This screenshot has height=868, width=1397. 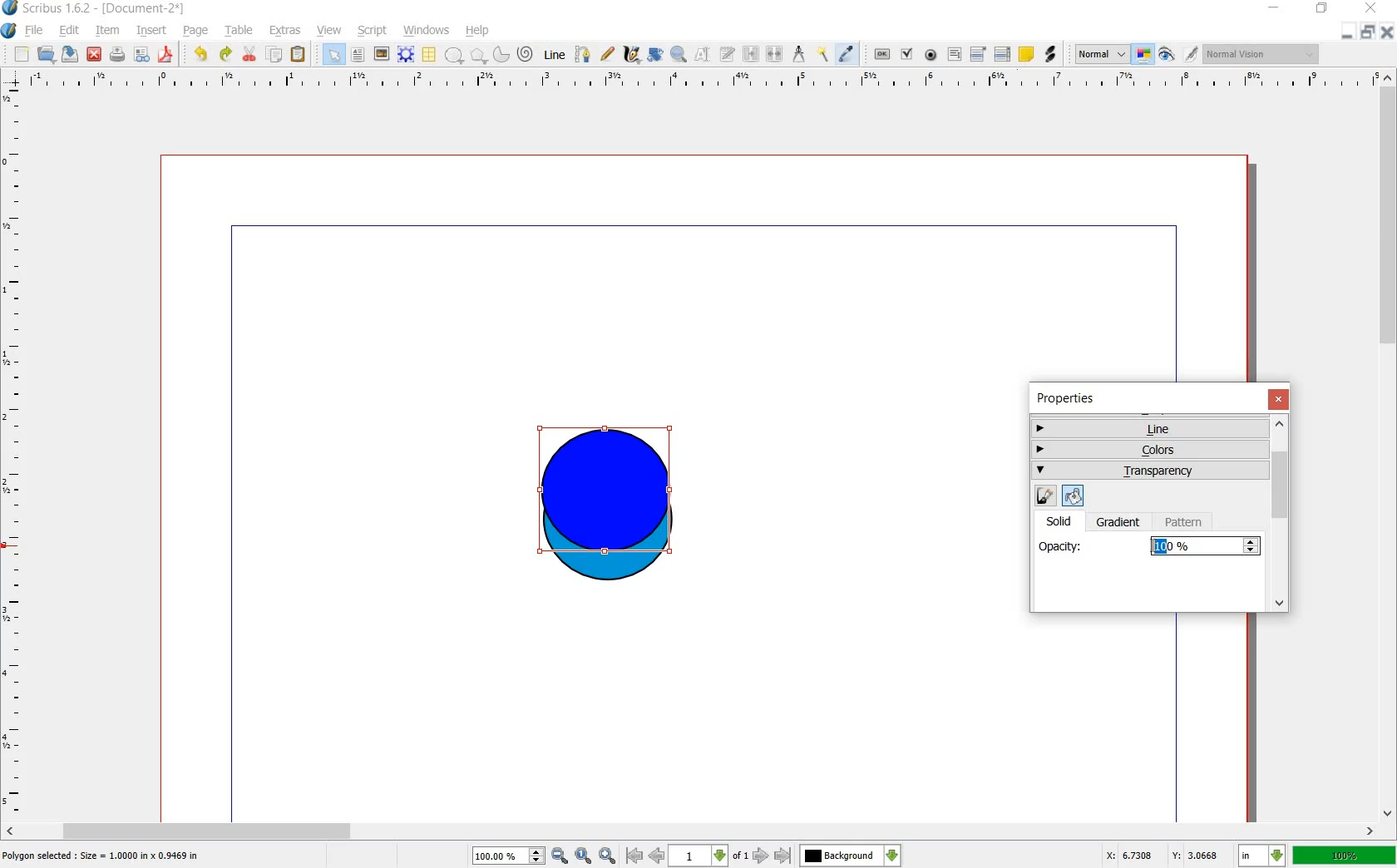 I want to click on save, so click(x=70, y=54).